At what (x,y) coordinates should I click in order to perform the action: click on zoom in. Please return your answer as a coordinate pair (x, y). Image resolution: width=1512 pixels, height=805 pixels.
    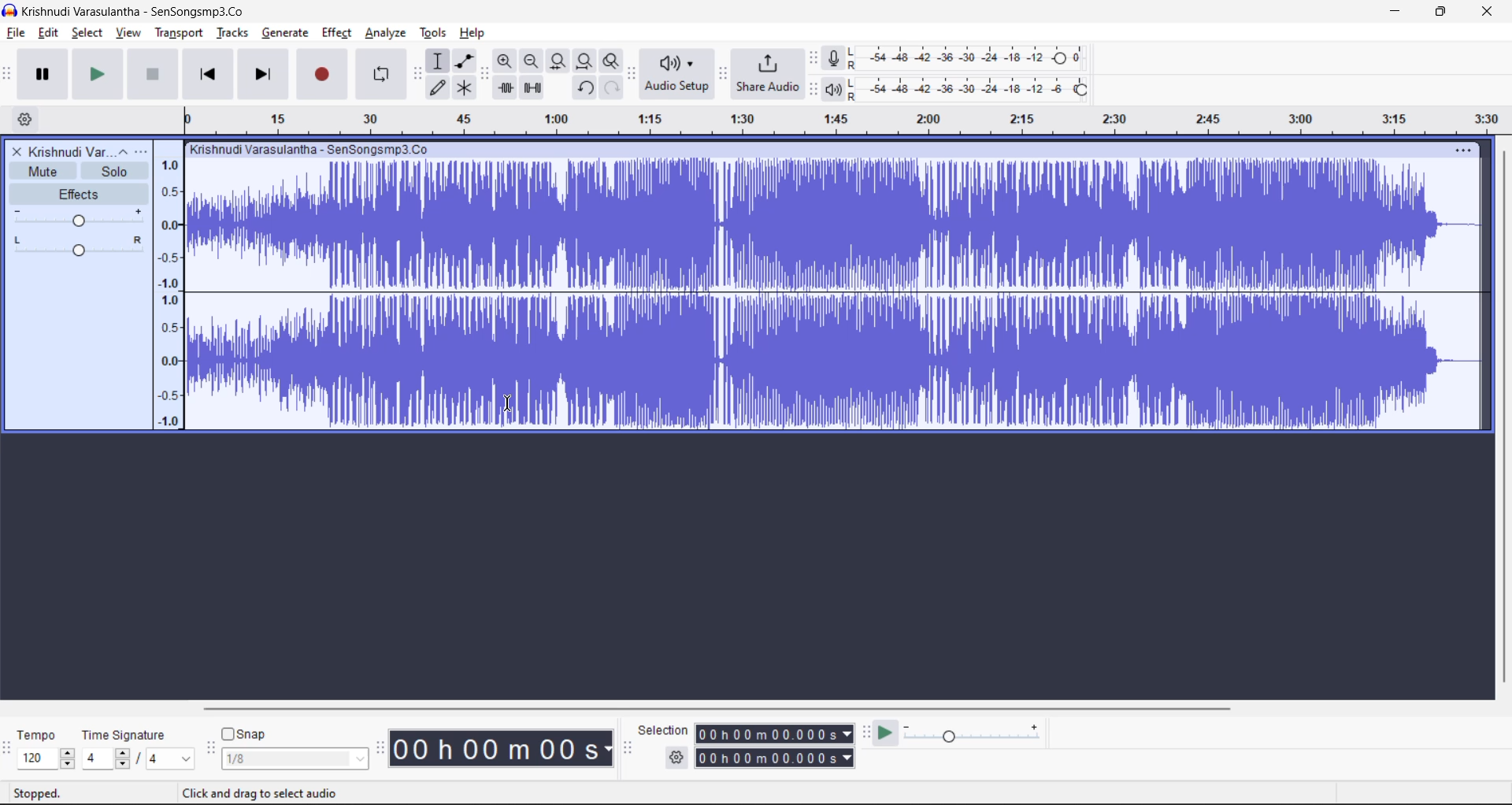
    Looking at the image, I should click on (506, 60).